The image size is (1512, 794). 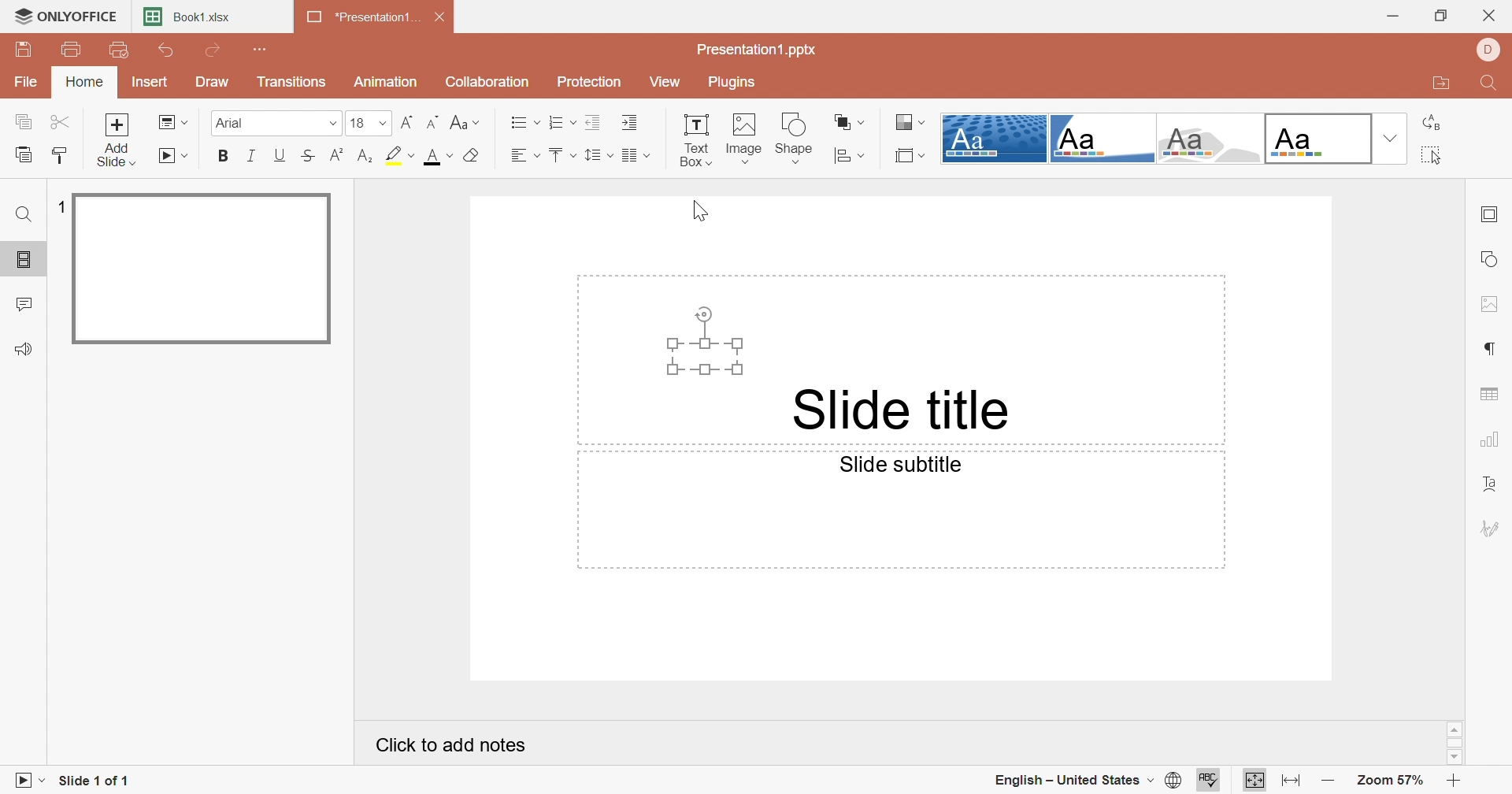 What do you see at coordinates (27, 348) in the screenshot?
I see `Feedback & Support` at bounding box center [27, 348].